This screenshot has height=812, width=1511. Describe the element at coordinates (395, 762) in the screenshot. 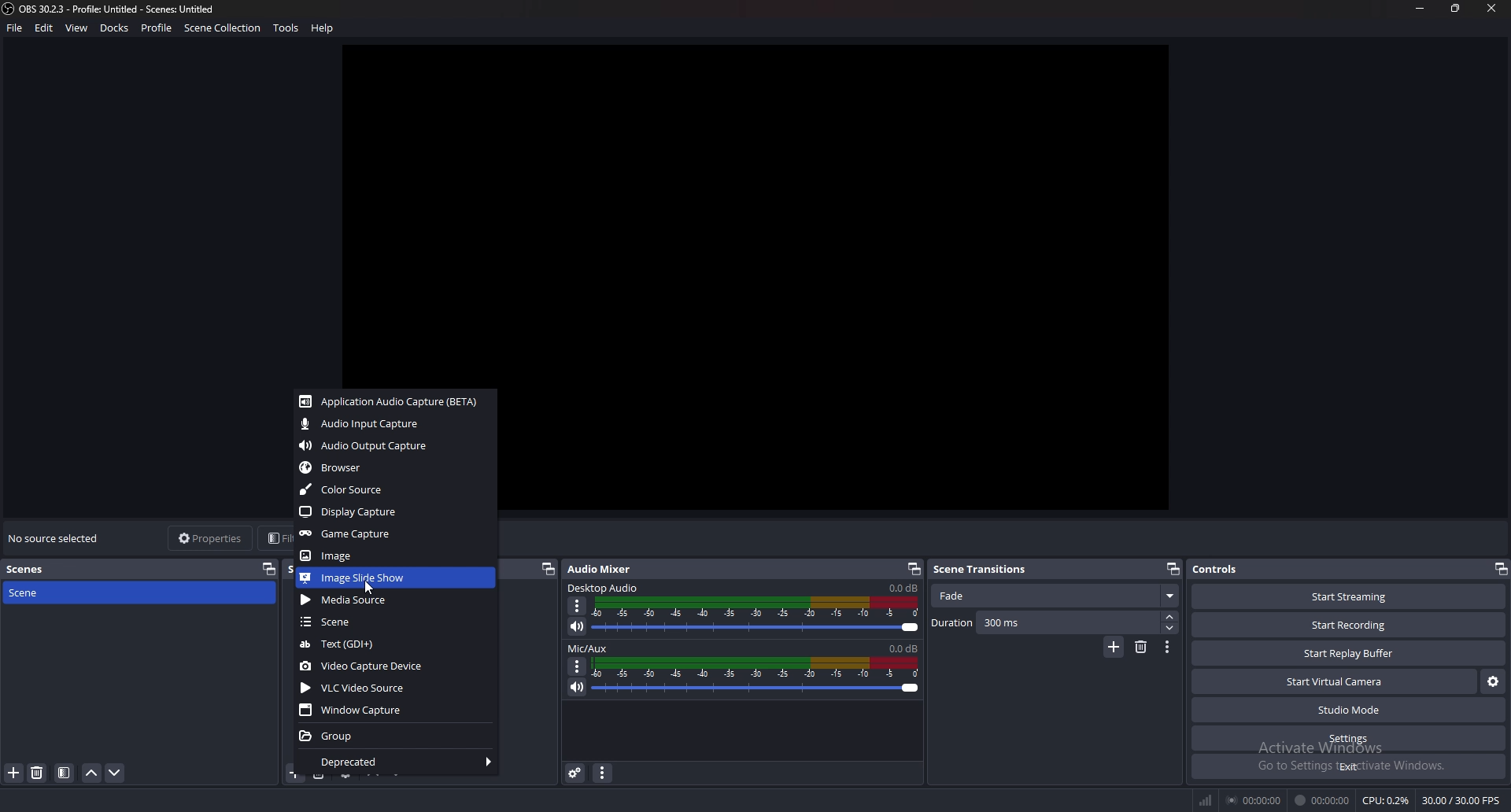

I see `deprecated` at that location.